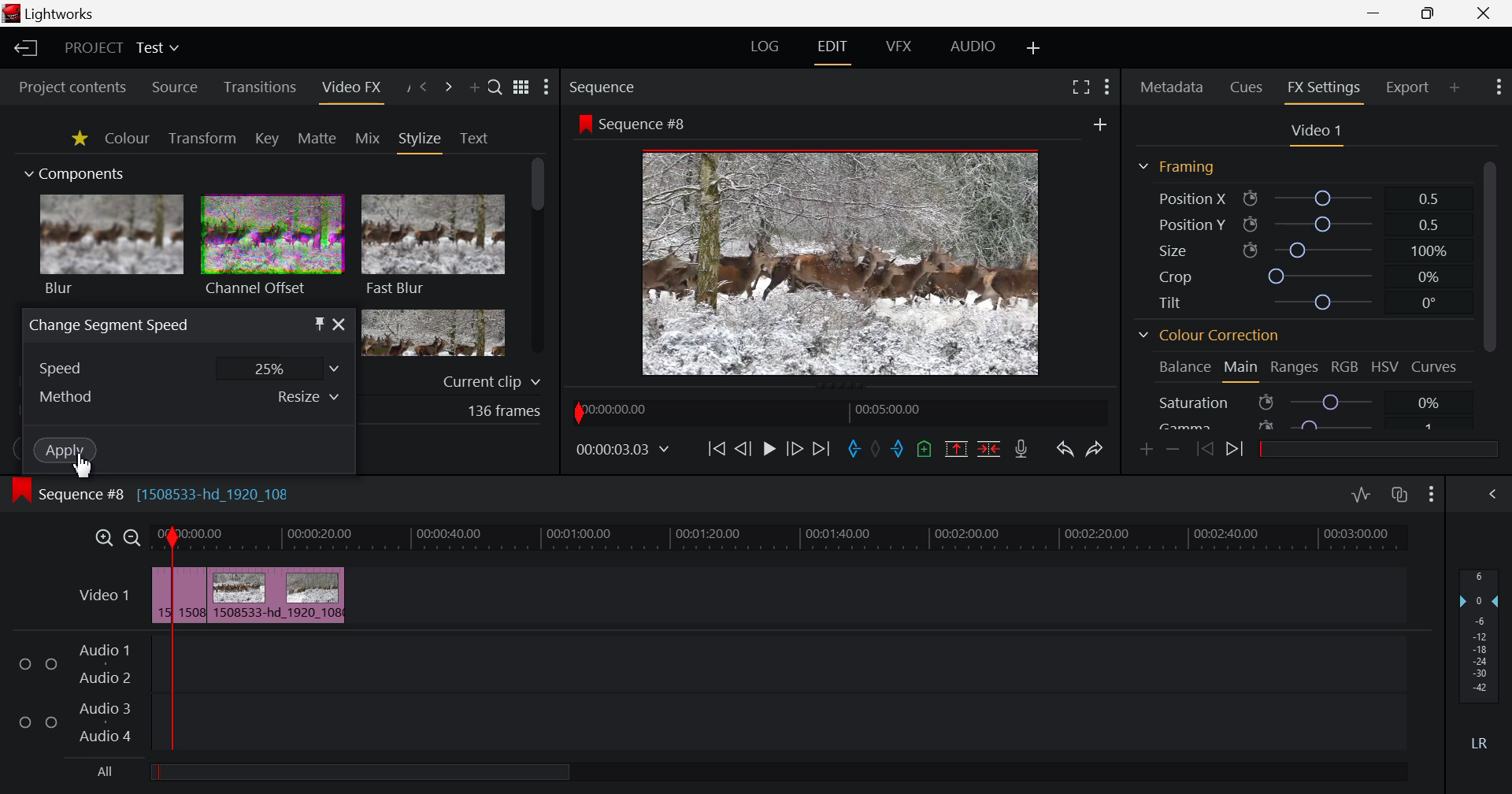  I want to click on Next keyframe, so click(1236, 451).